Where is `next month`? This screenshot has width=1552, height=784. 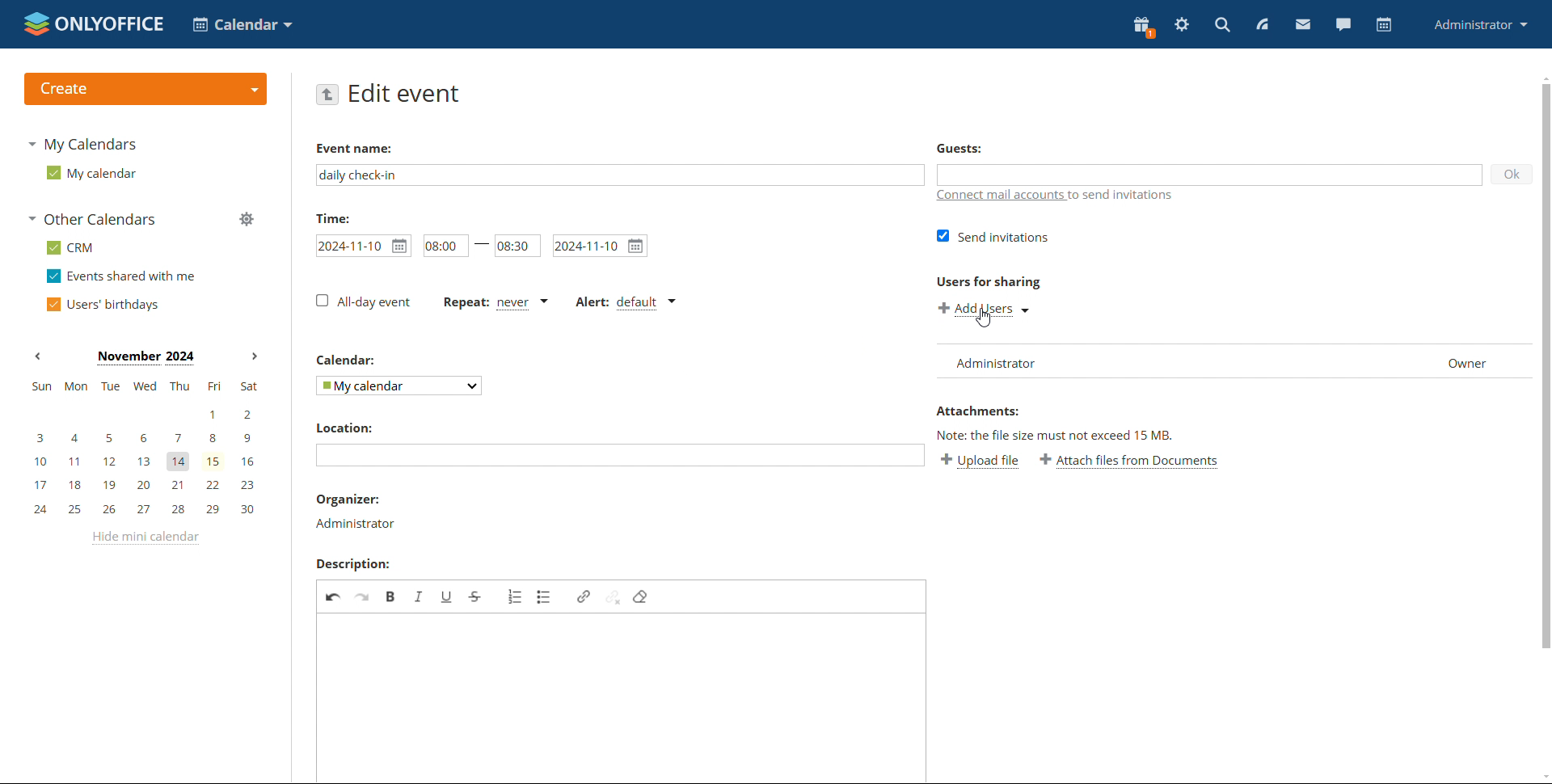
next month is located at coordinates (252, 357).